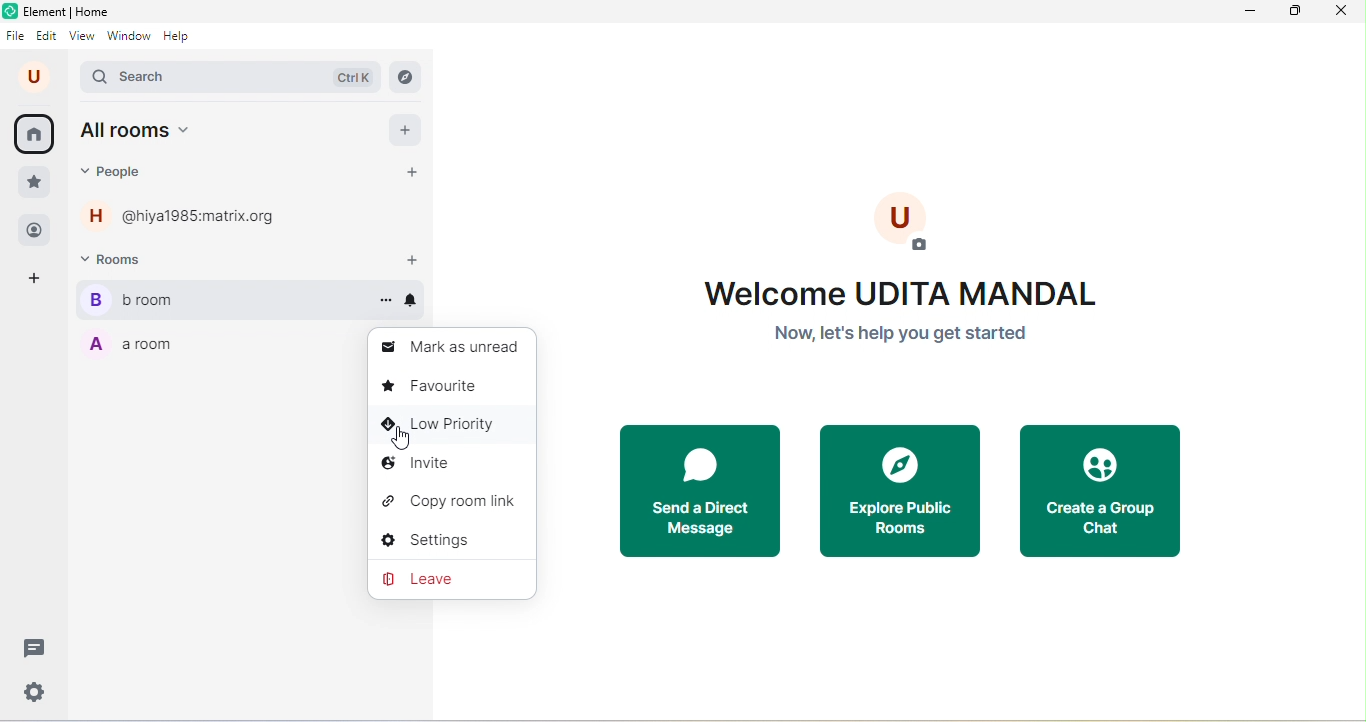 The image size is (1366, 722). I want to click on mark as unread, so click(452, 348).